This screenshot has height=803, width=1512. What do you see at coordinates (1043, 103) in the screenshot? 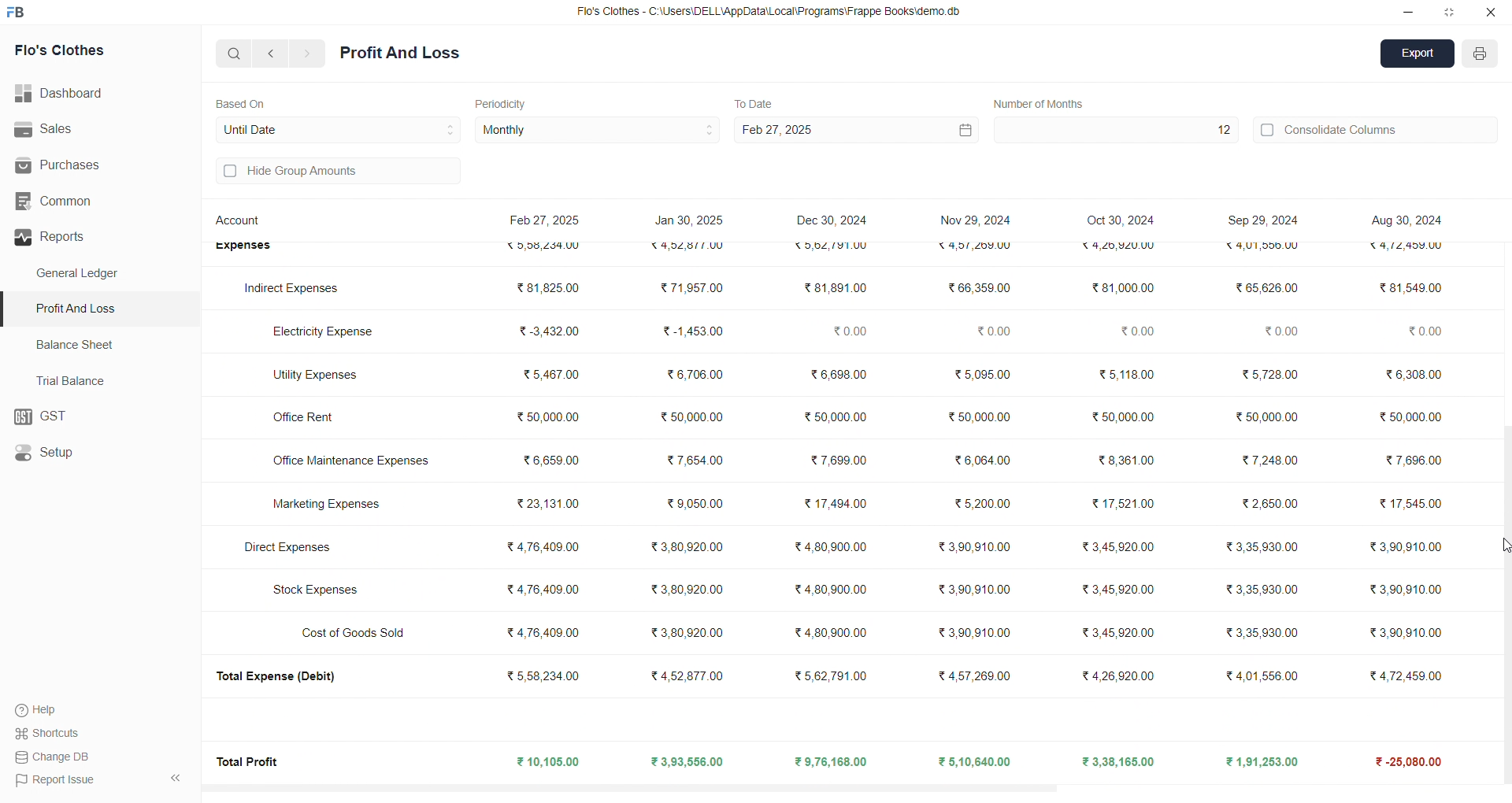
I see `Number of Quarters` at bounding box center [1043, 103].